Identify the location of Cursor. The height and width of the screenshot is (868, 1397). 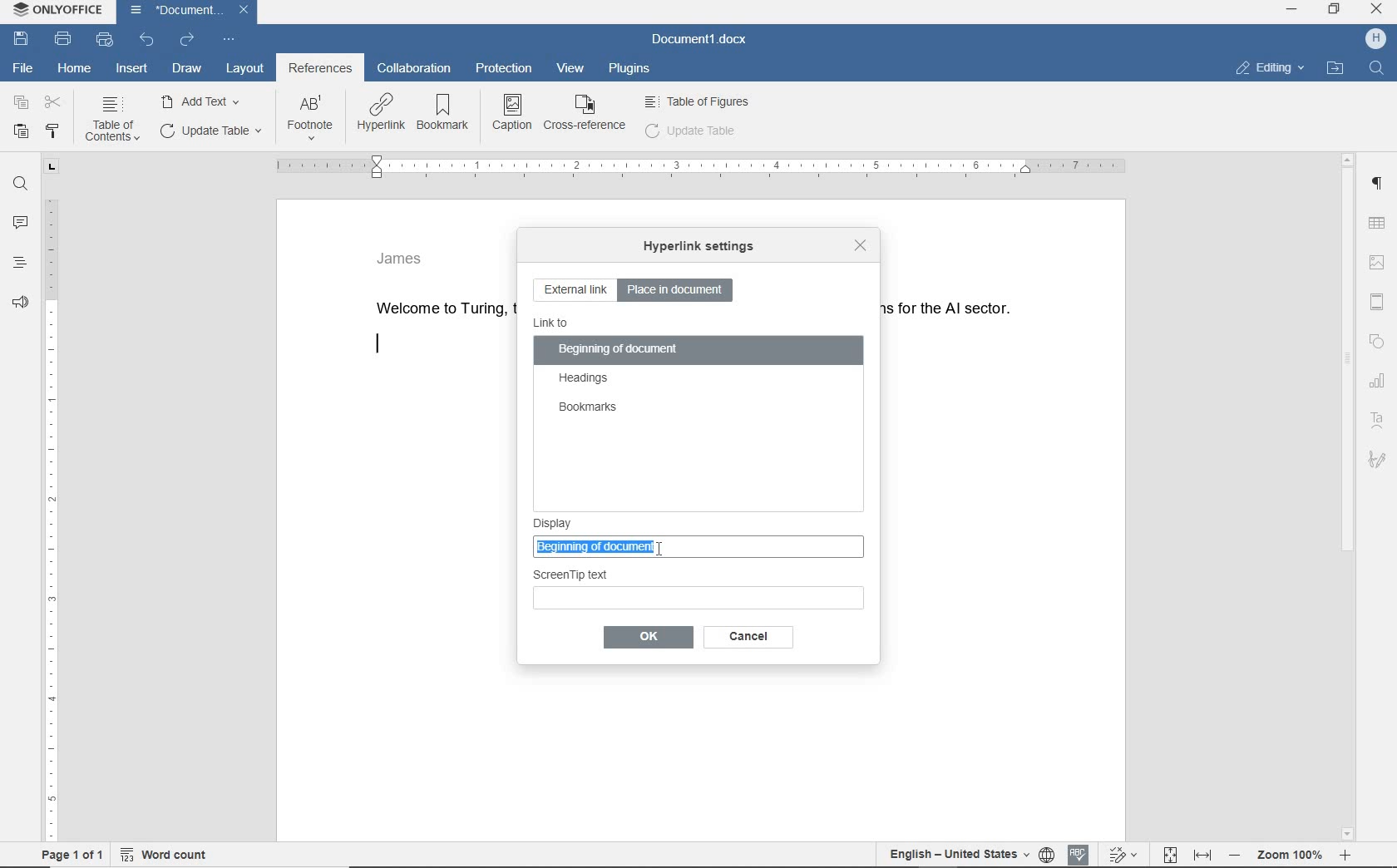
(670, 548).